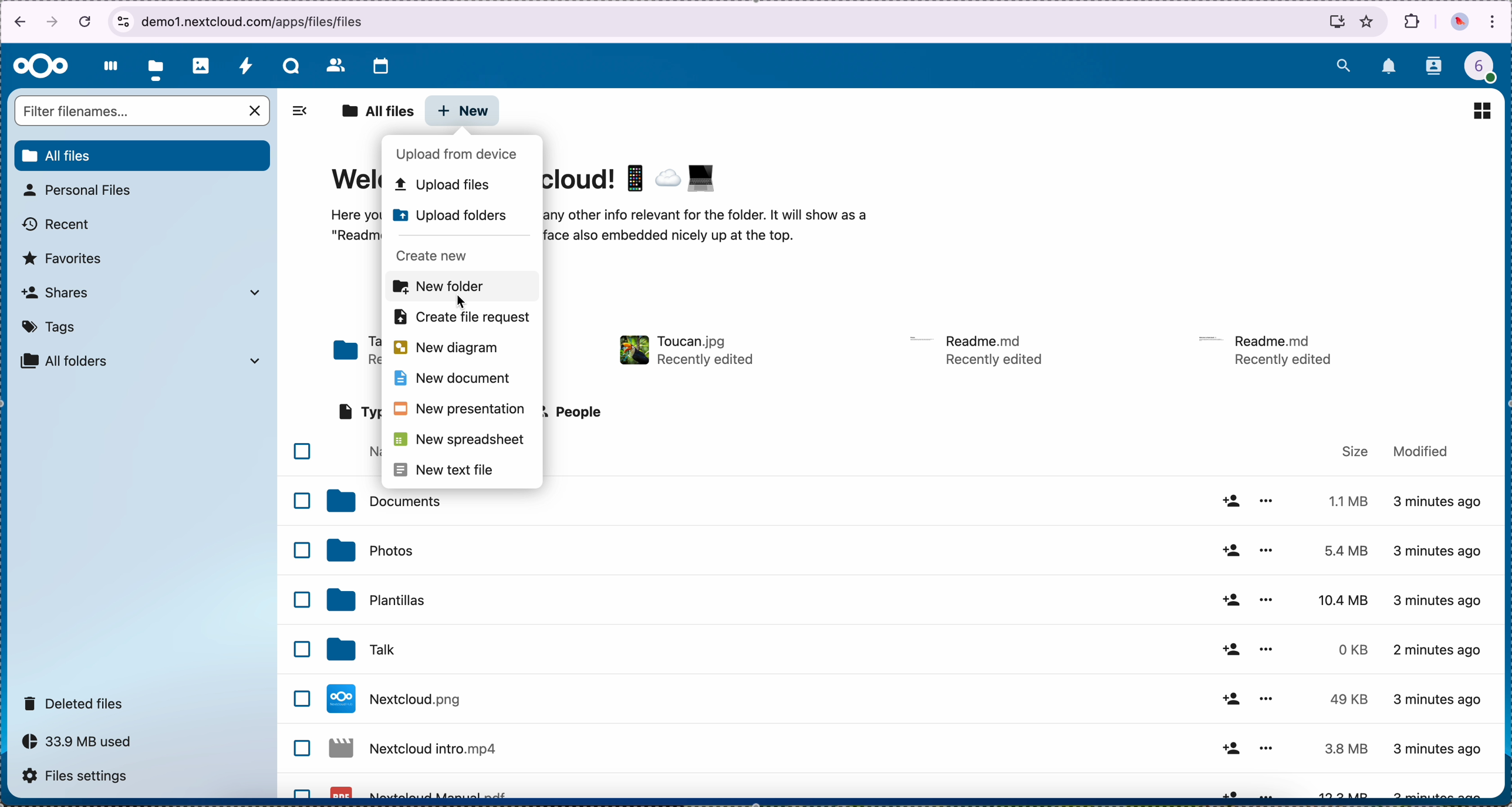  What do you see at coordinates (451, 470) in the screenshot?
I see `new text file` at bounding box center [451, 470].